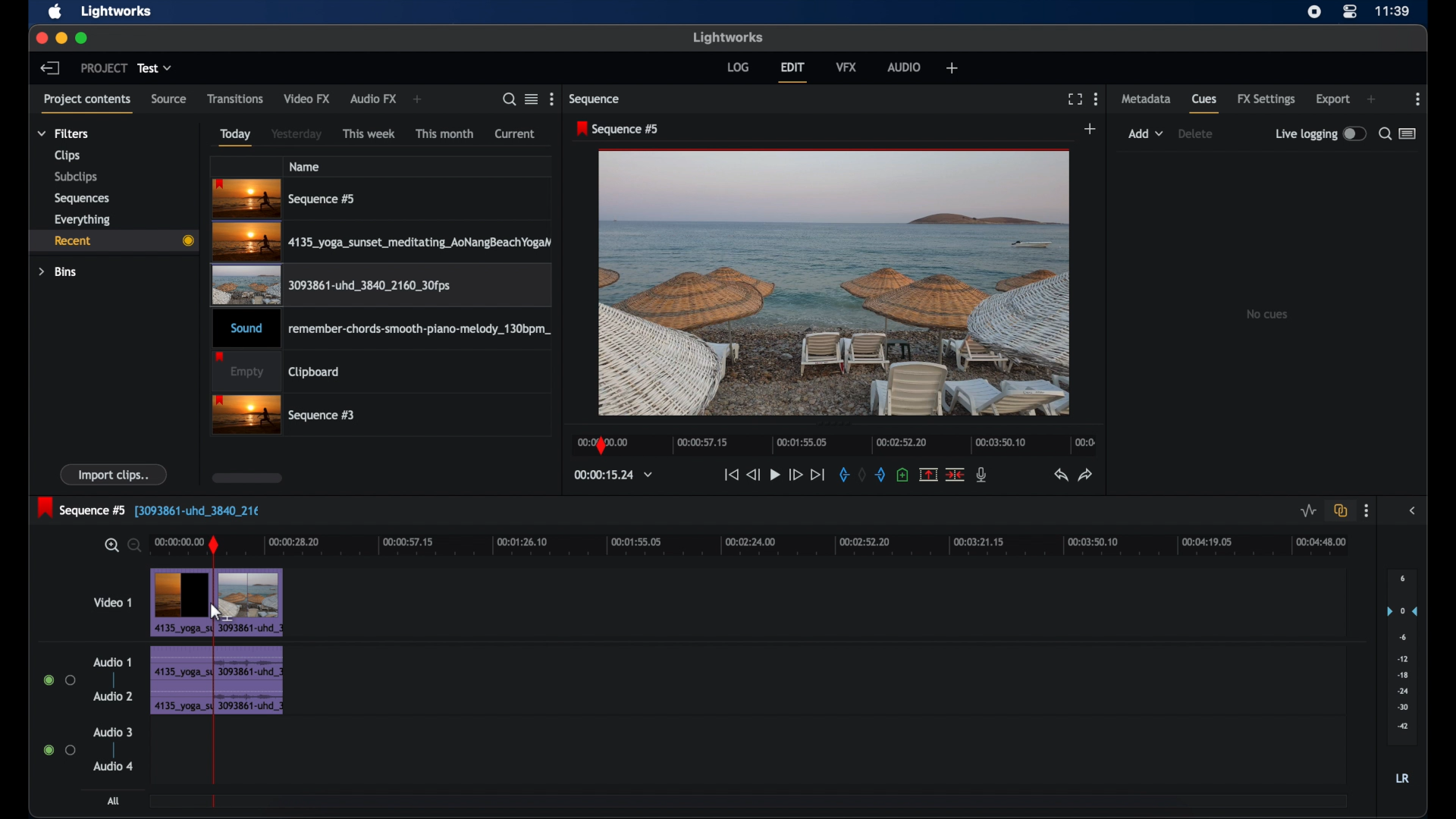 The width and height of the screenshot is (1456, 819). I want to click on add cue at current position, so click(902, 474).